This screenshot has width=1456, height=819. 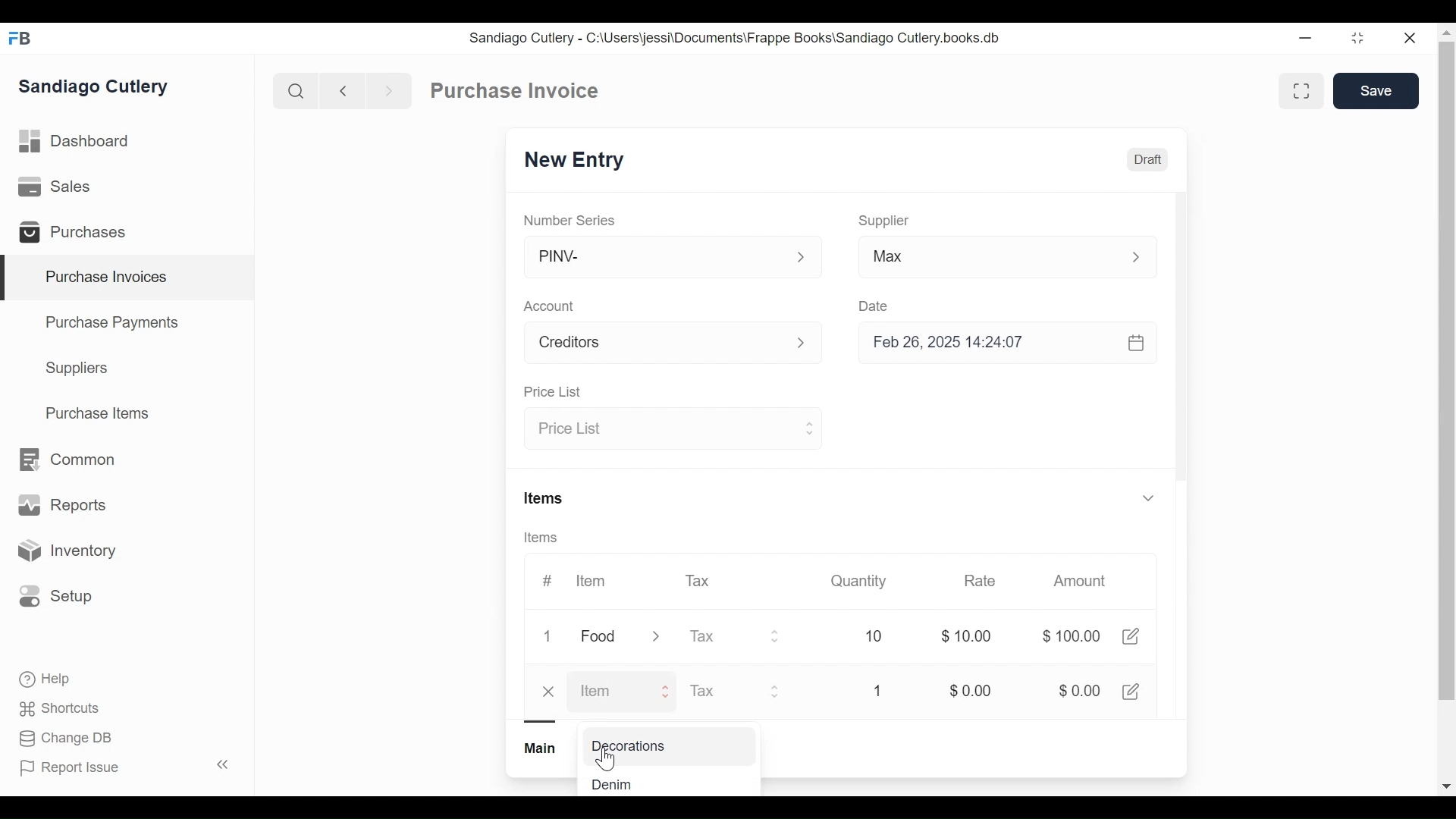 What do you see at coordinates (1074, 692) in the screenshot?
I see `$0.00` at bounding box center [1074, 692].